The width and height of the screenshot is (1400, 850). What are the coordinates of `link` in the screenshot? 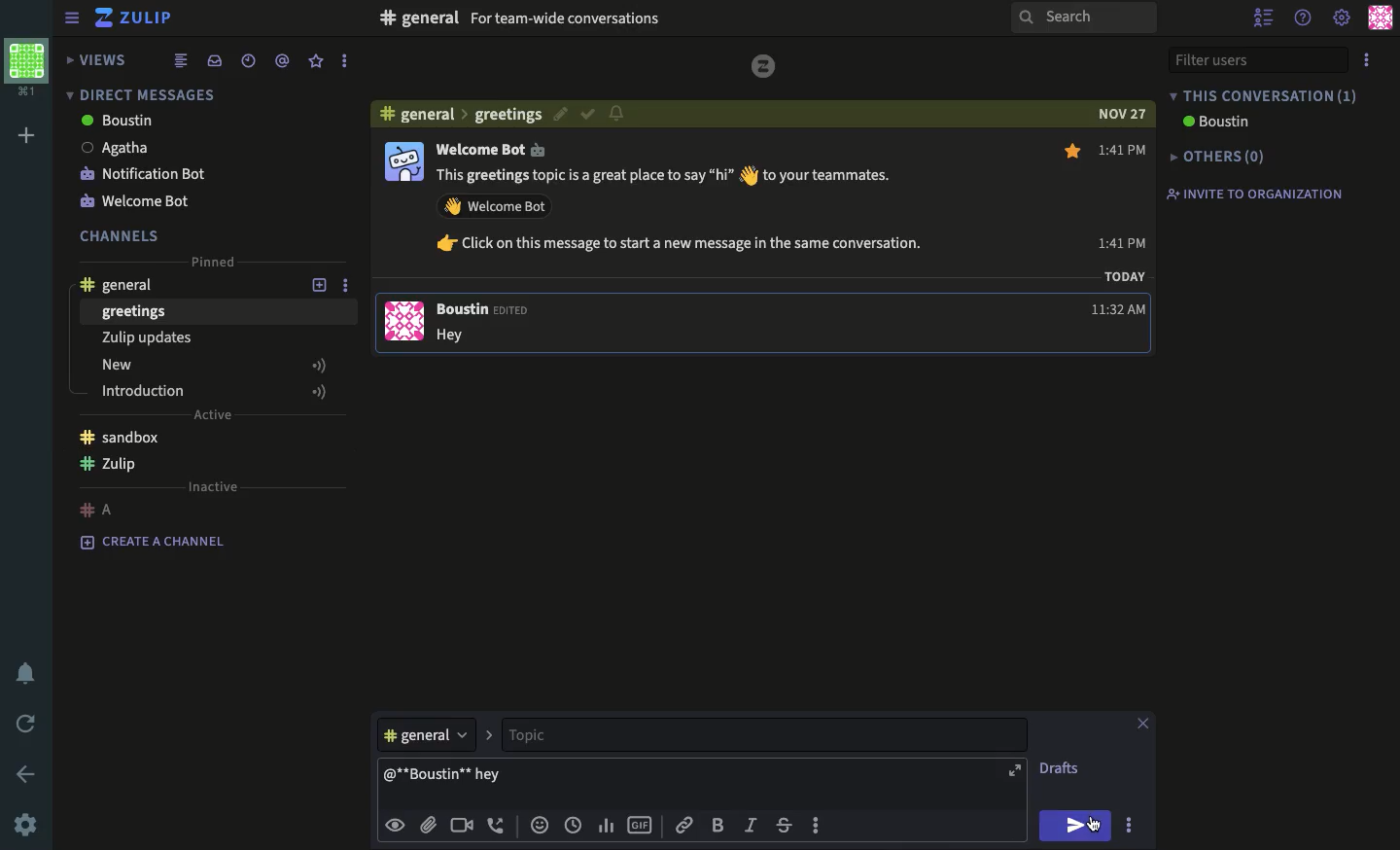 It's located at (682, 825).